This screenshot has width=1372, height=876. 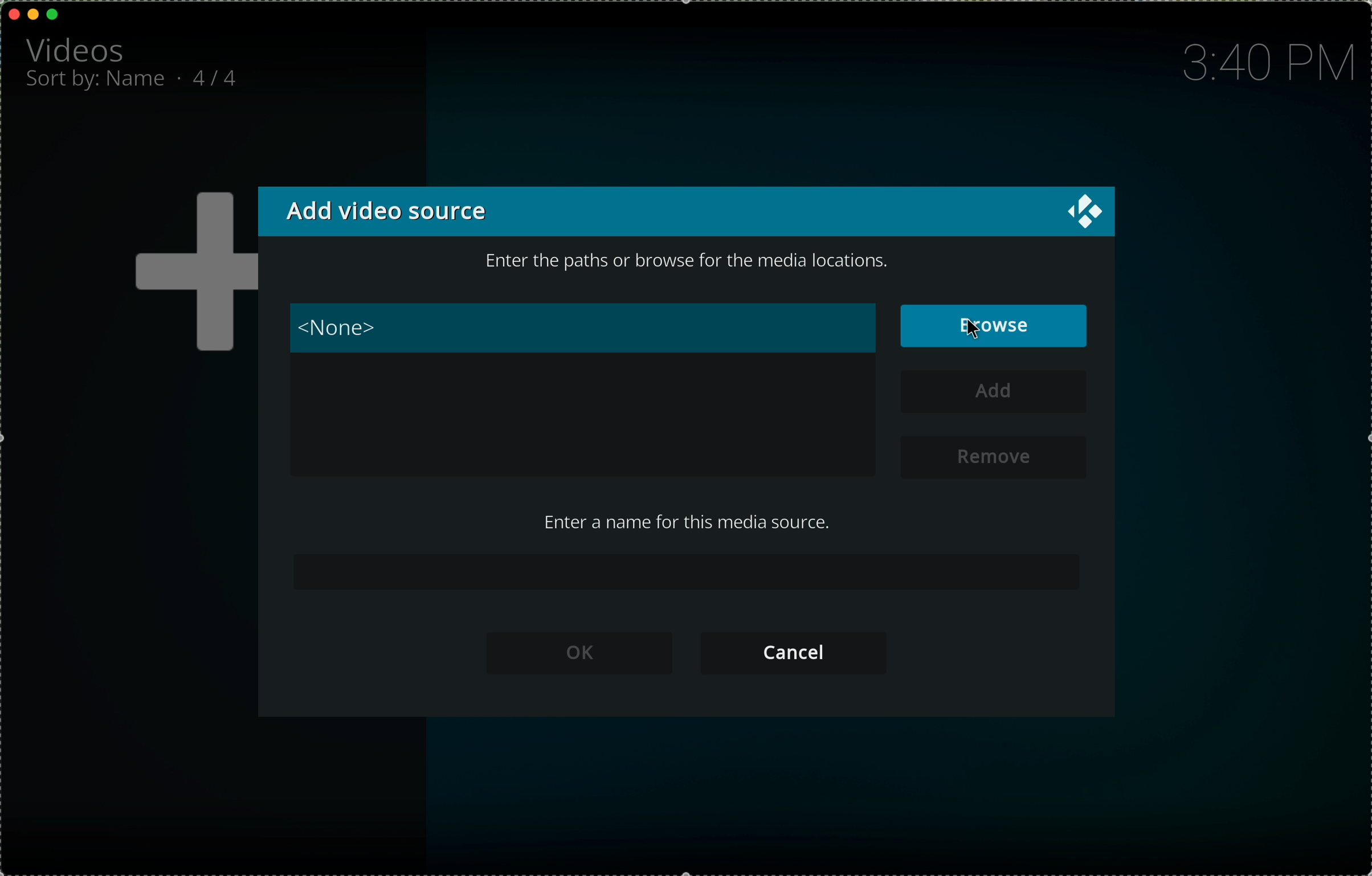 What do you see at coordinates (692, 260) in the screenshot?
I see `enter the paths or browse for the media locations` at bounding box center [692, 260].